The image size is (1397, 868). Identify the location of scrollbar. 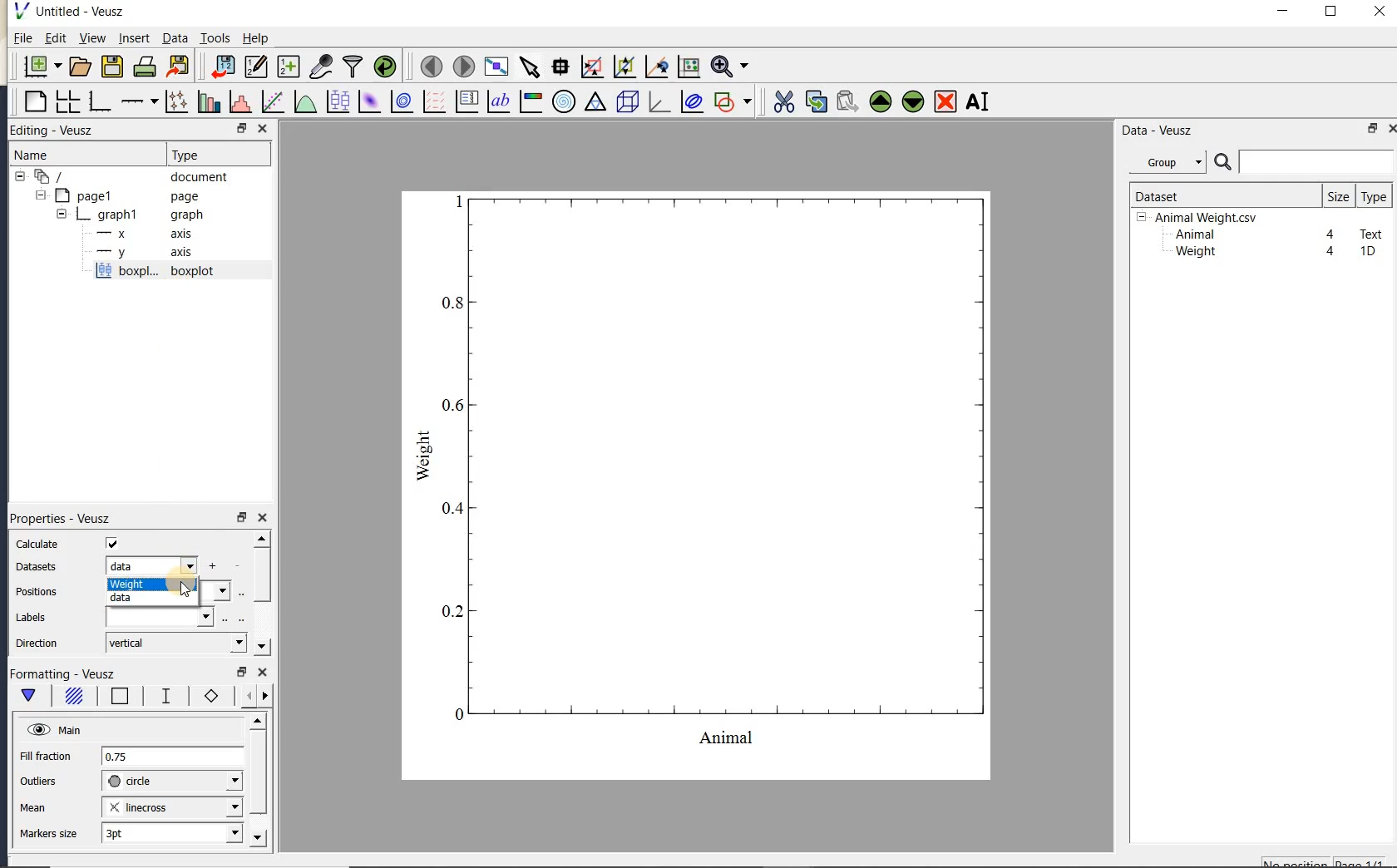
(259, 783).